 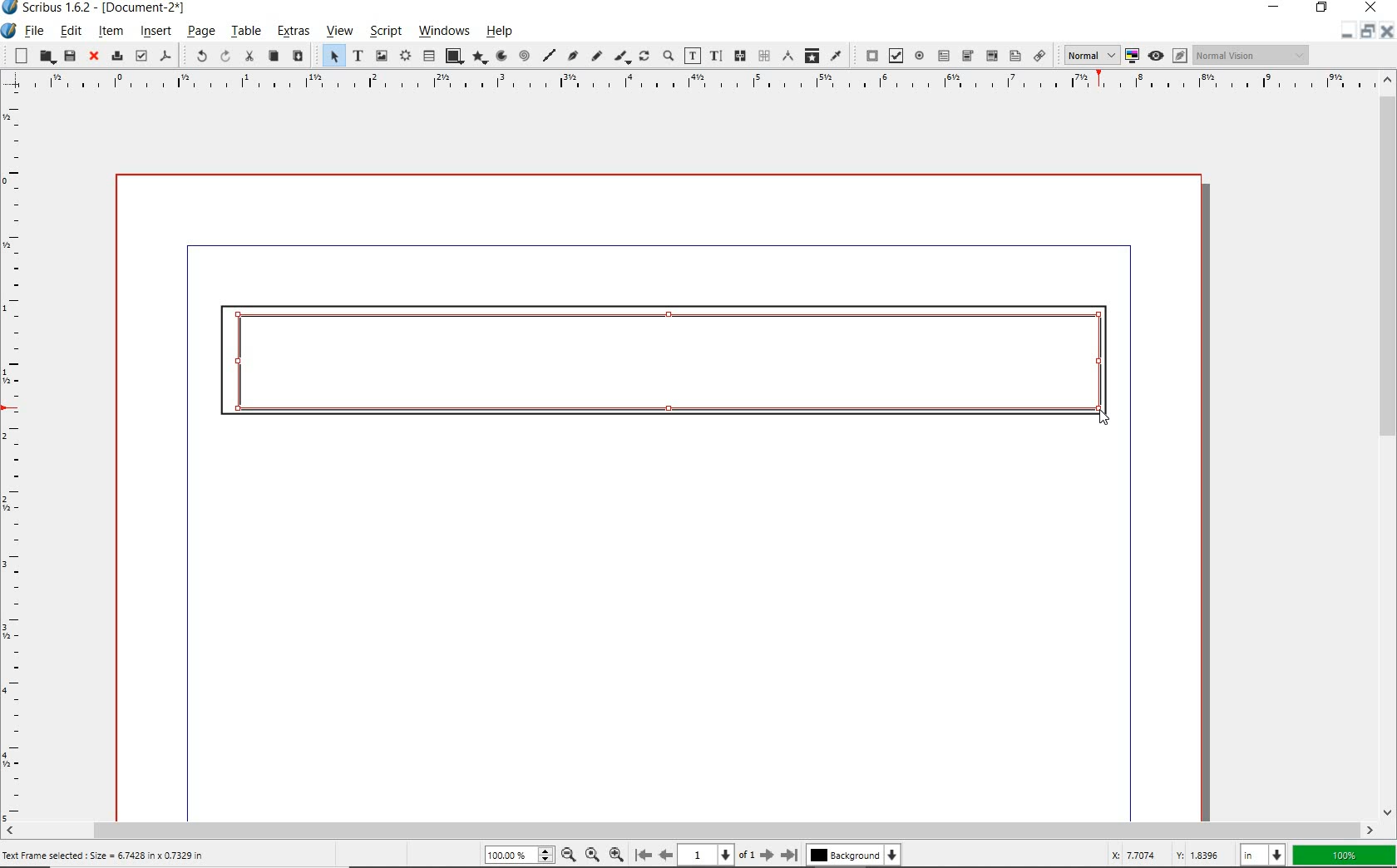 I want to click on zoom in or zoom out, so click(x=668, y=56).